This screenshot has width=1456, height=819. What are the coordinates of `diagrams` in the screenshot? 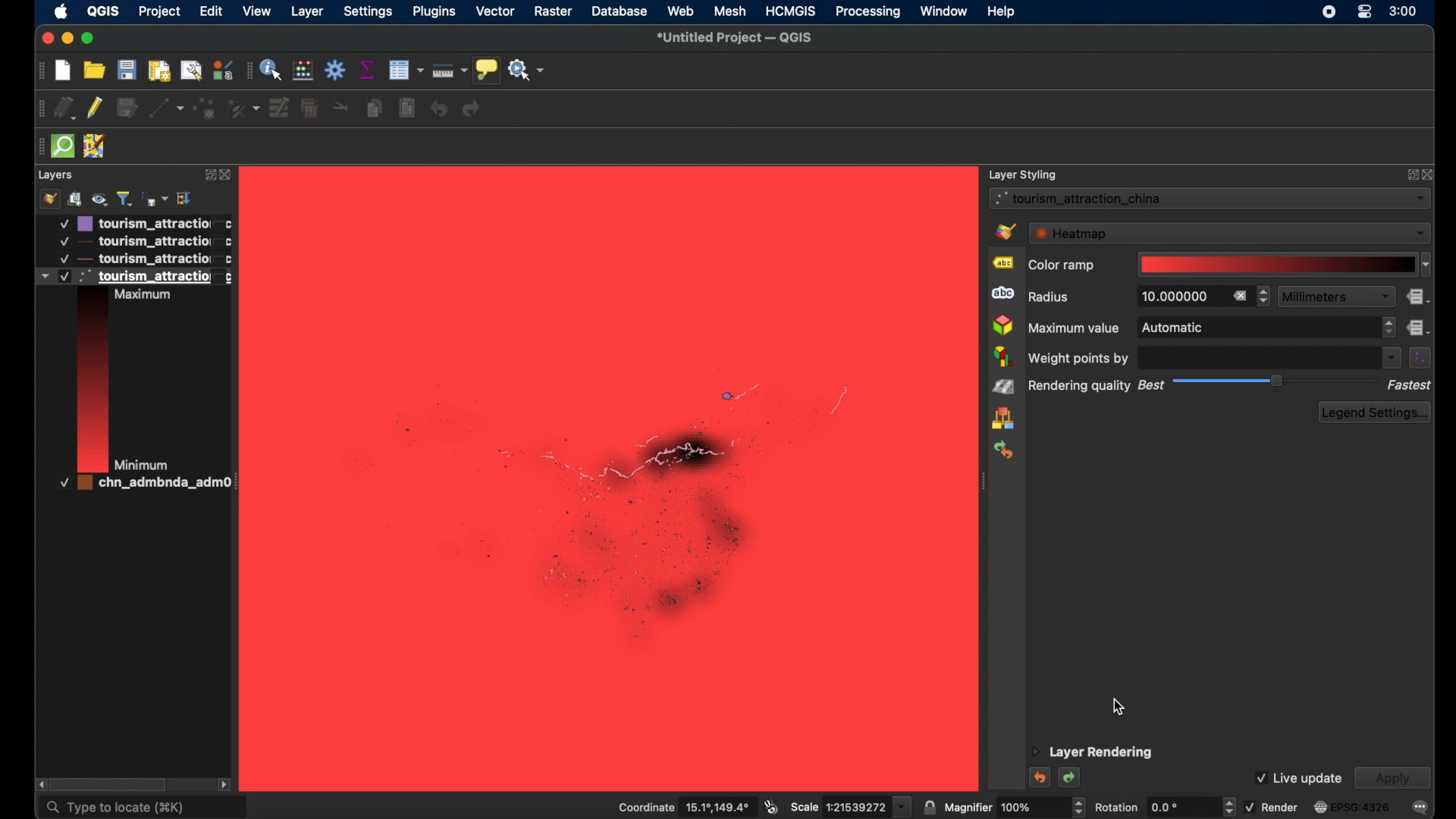 It's located at (1003, 357).